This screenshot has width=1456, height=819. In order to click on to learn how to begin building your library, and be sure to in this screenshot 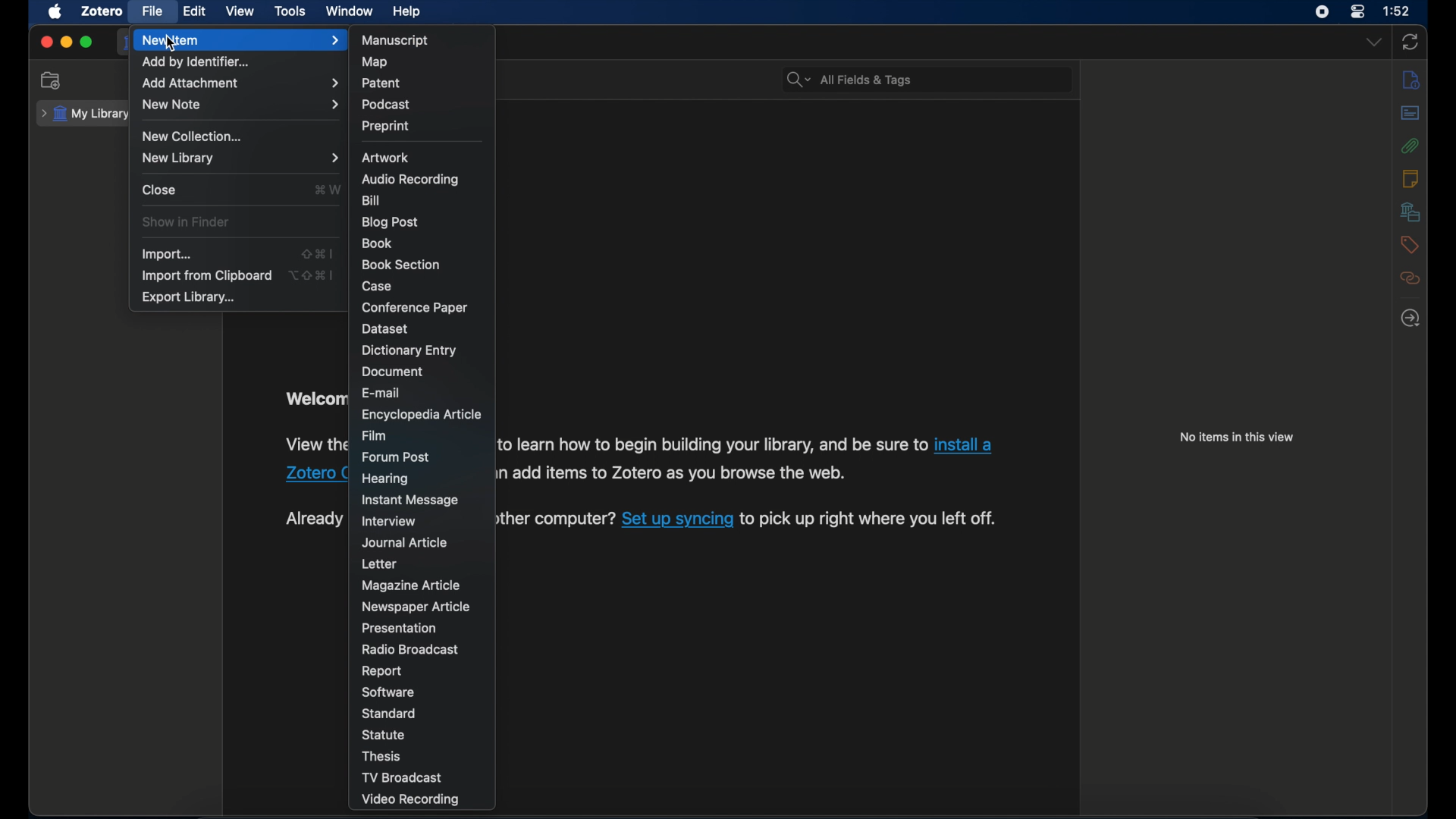, I will do `click(712, 442)`.